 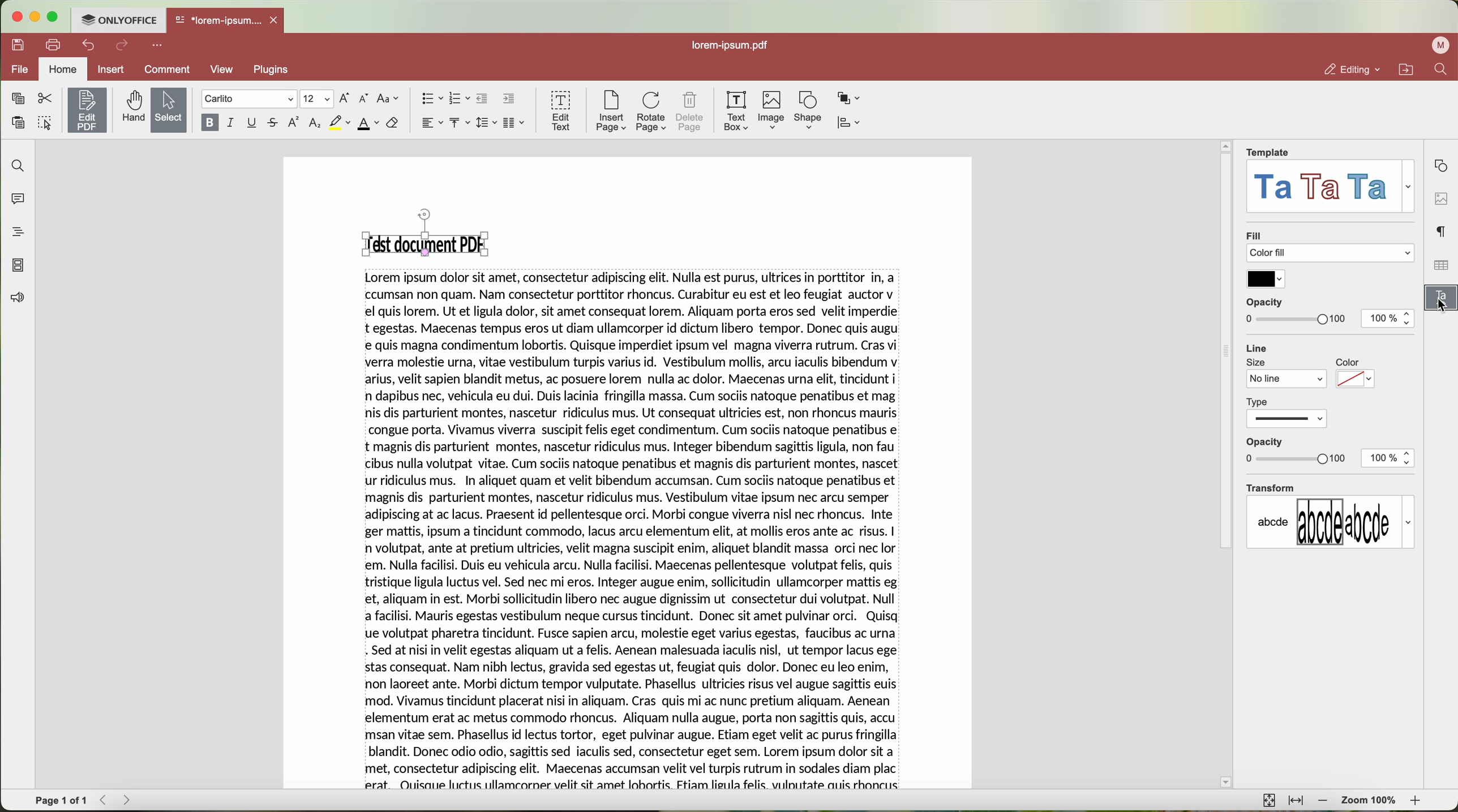 What do you see at coordinates (19, 45) in the screenshot?
I see `save` at bounding box center [19, 45].